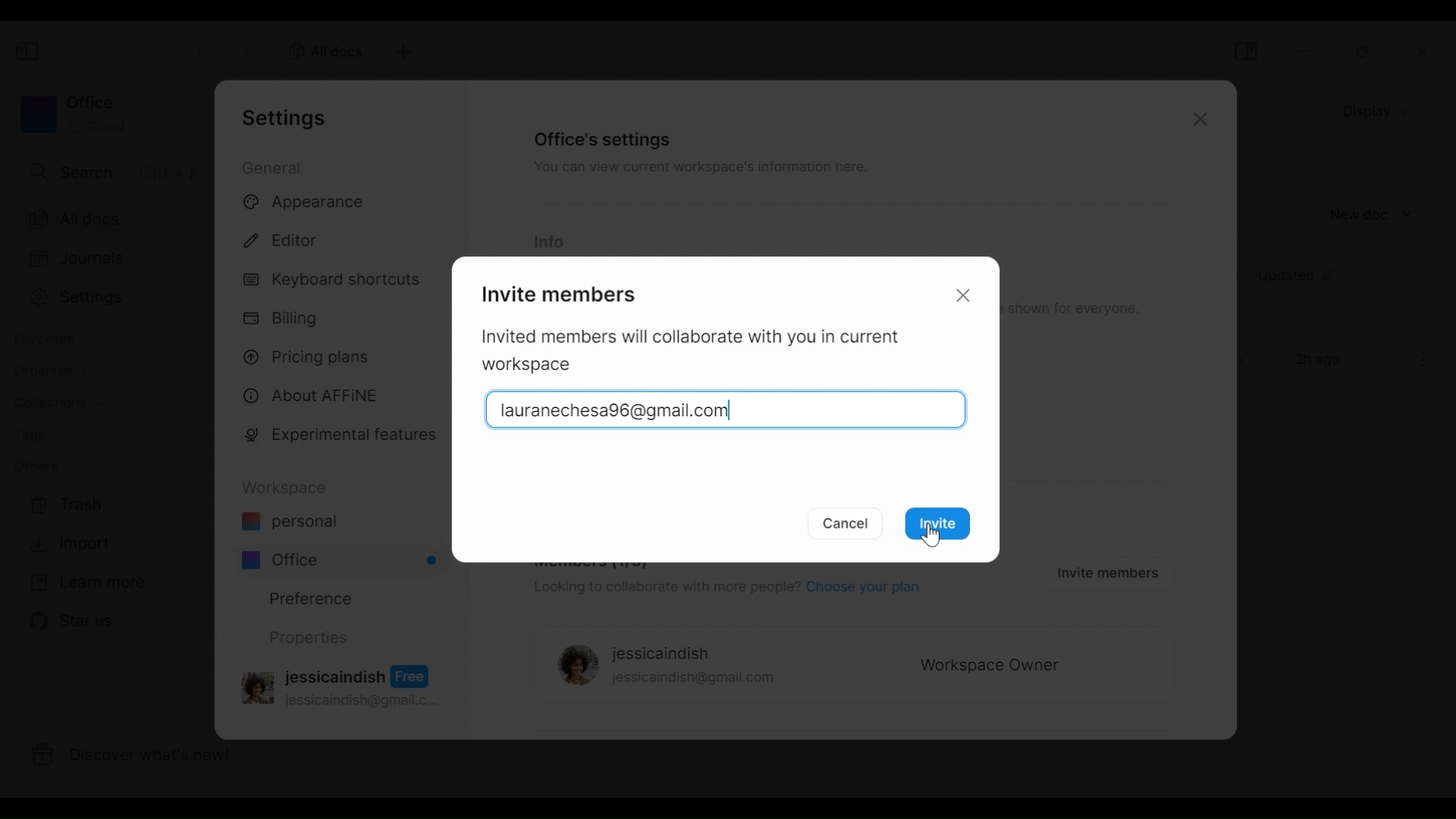  What do you see at coordinates (143, 758) in the screenshot?
I see `Discover what's new` at bounding box center [143, 758].